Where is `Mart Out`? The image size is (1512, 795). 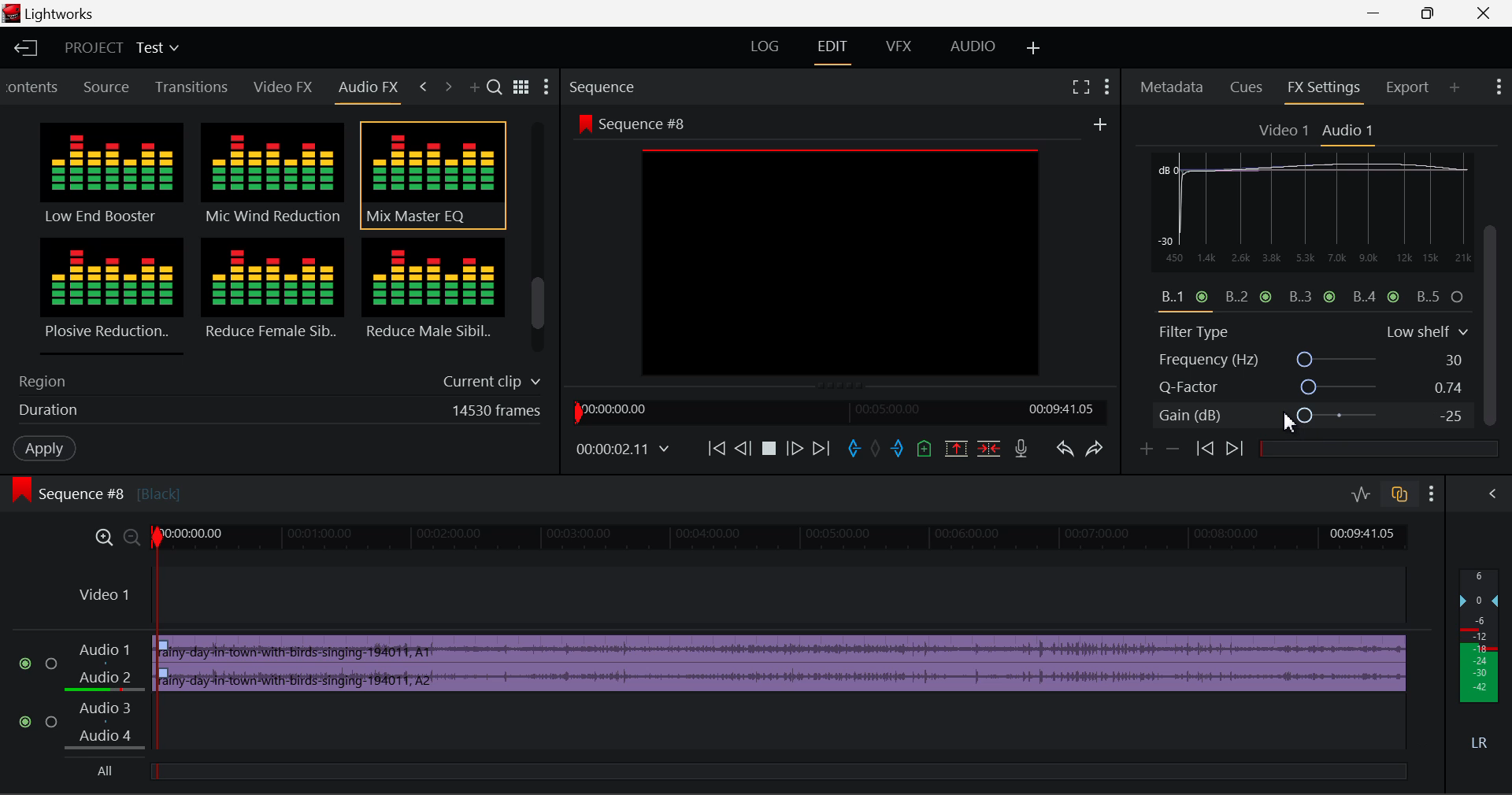 Mart Out is located at coordinates (899, 449).